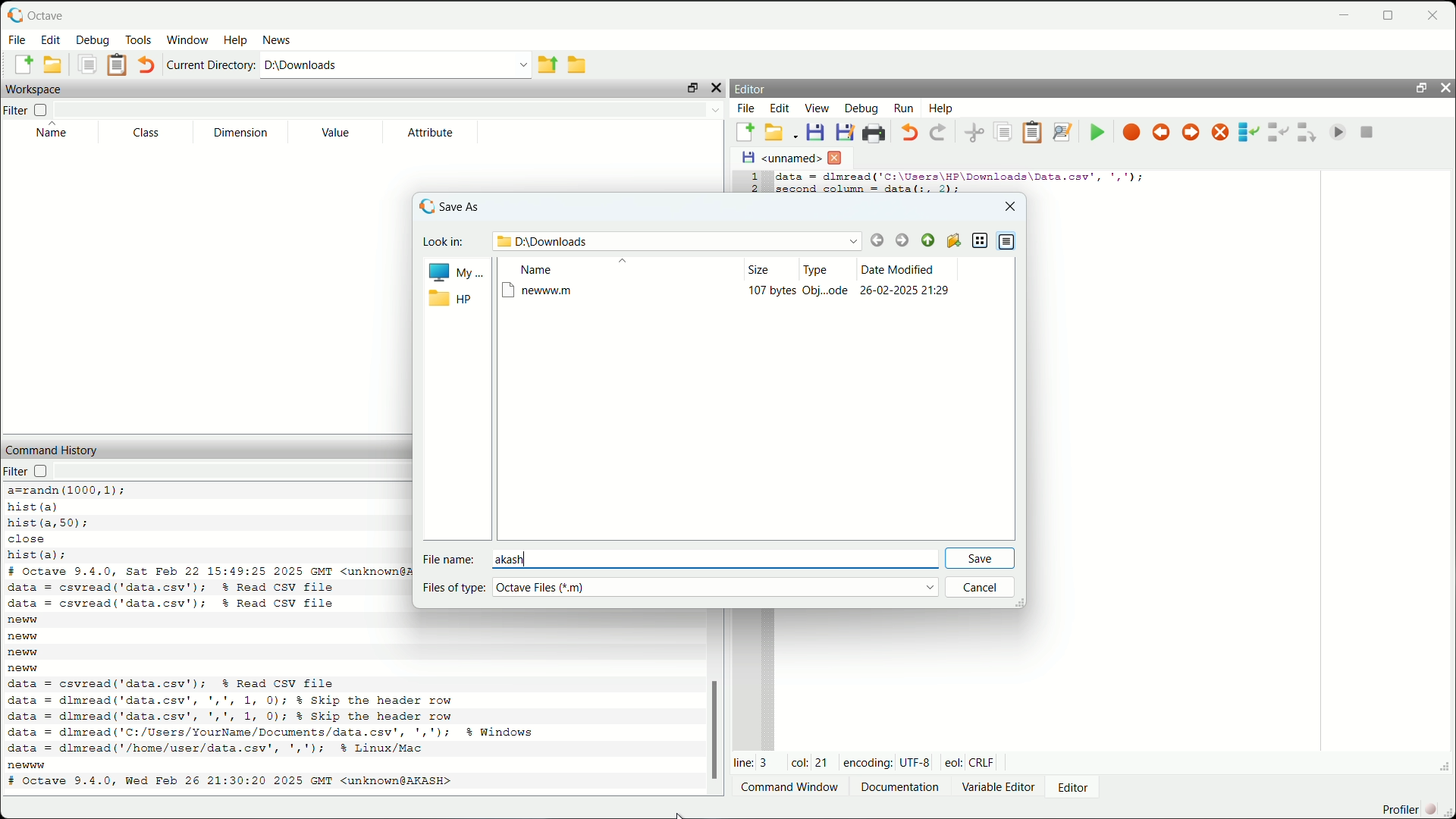 This screenshot has width=1456, height=819. What do you see at coordinates (817, 111) in the screenshot?
I see `view` at bounding box center [817, 111].